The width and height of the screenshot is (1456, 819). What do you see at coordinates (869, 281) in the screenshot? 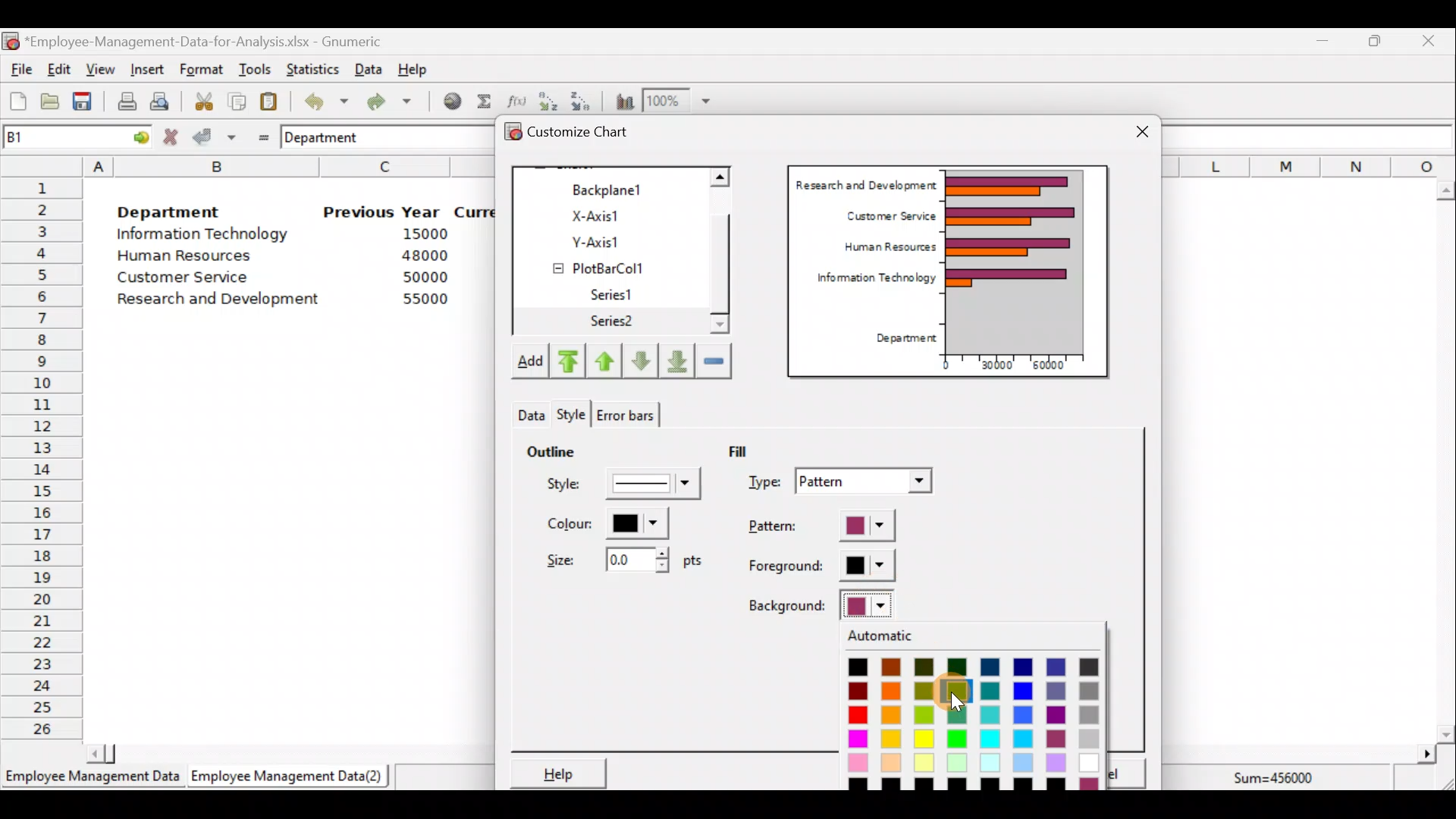
I see `Information Technology` at bounding box center [869, 281].